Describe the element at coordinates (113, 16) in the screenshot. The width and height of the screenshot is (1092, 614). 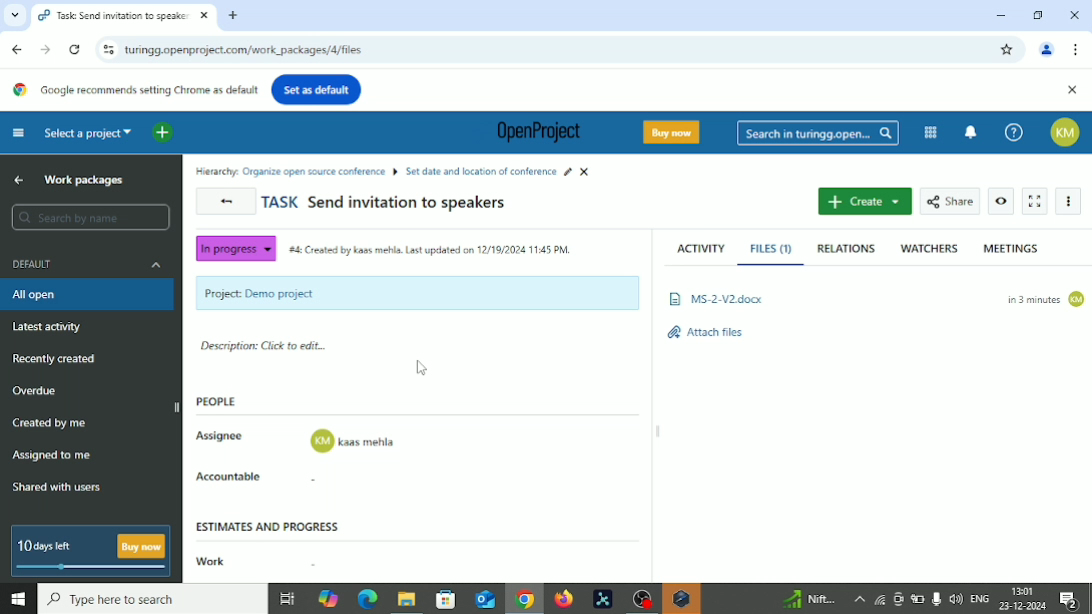
I see `current tab: Task: Send invitation to speake` at that location.